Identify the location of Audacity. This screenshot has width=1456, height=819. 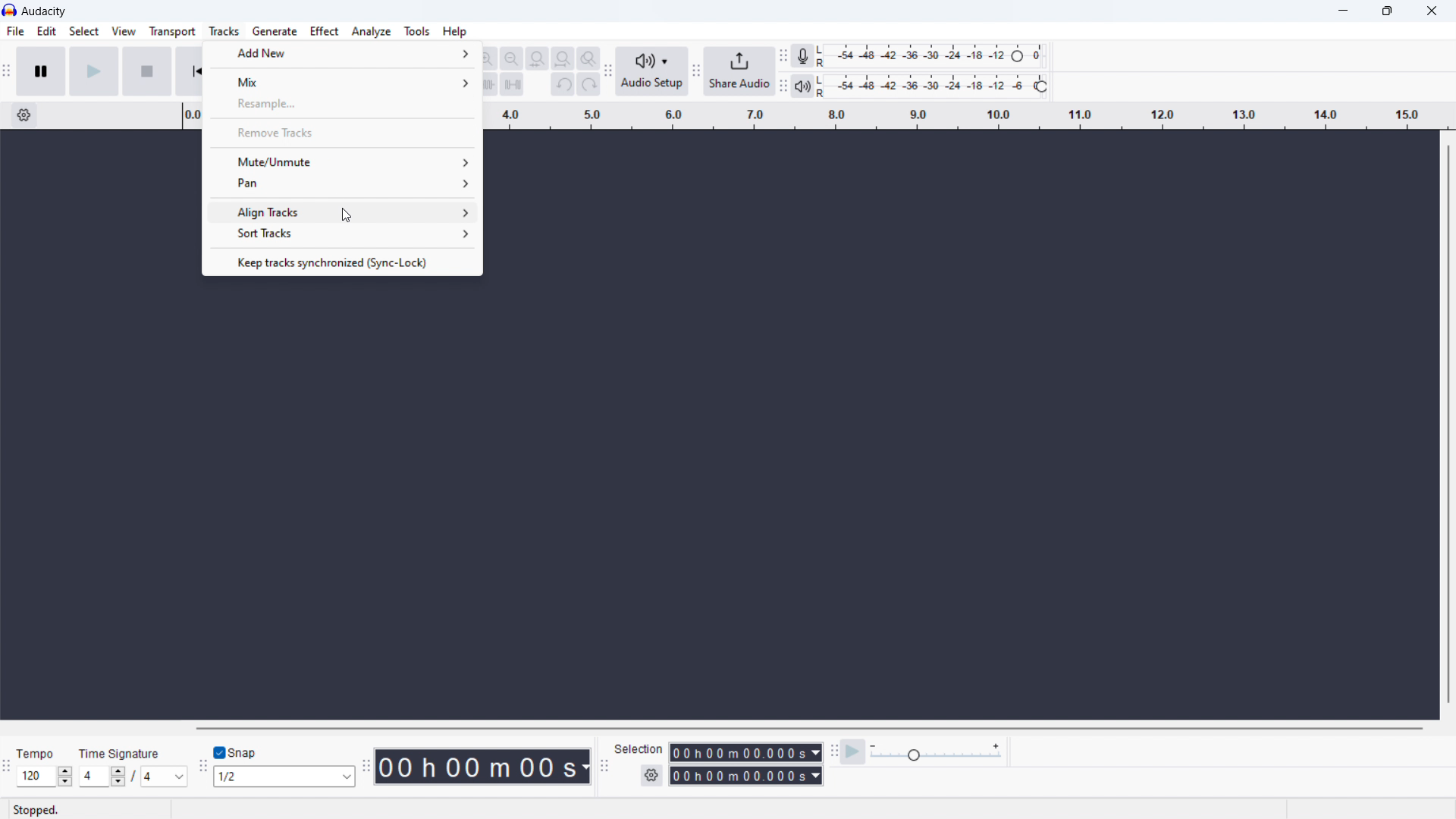
(45, 11).